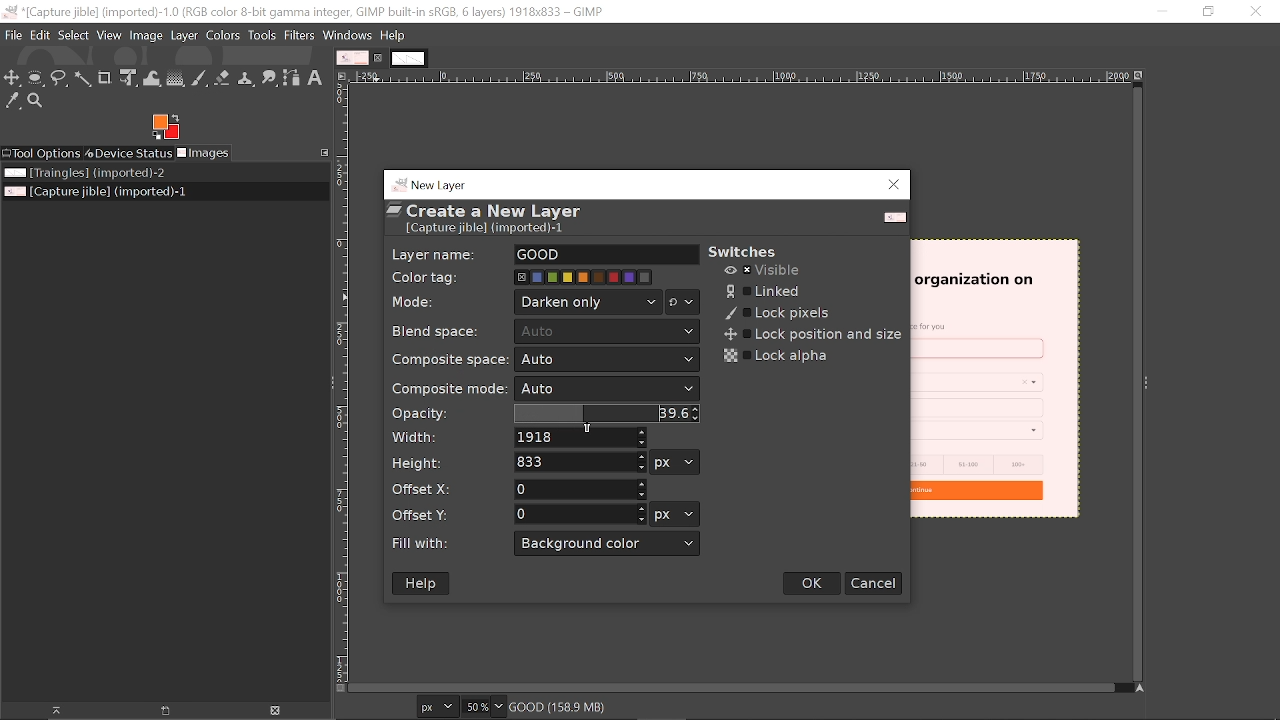  I want to click on Auto v, so click(608, 333).